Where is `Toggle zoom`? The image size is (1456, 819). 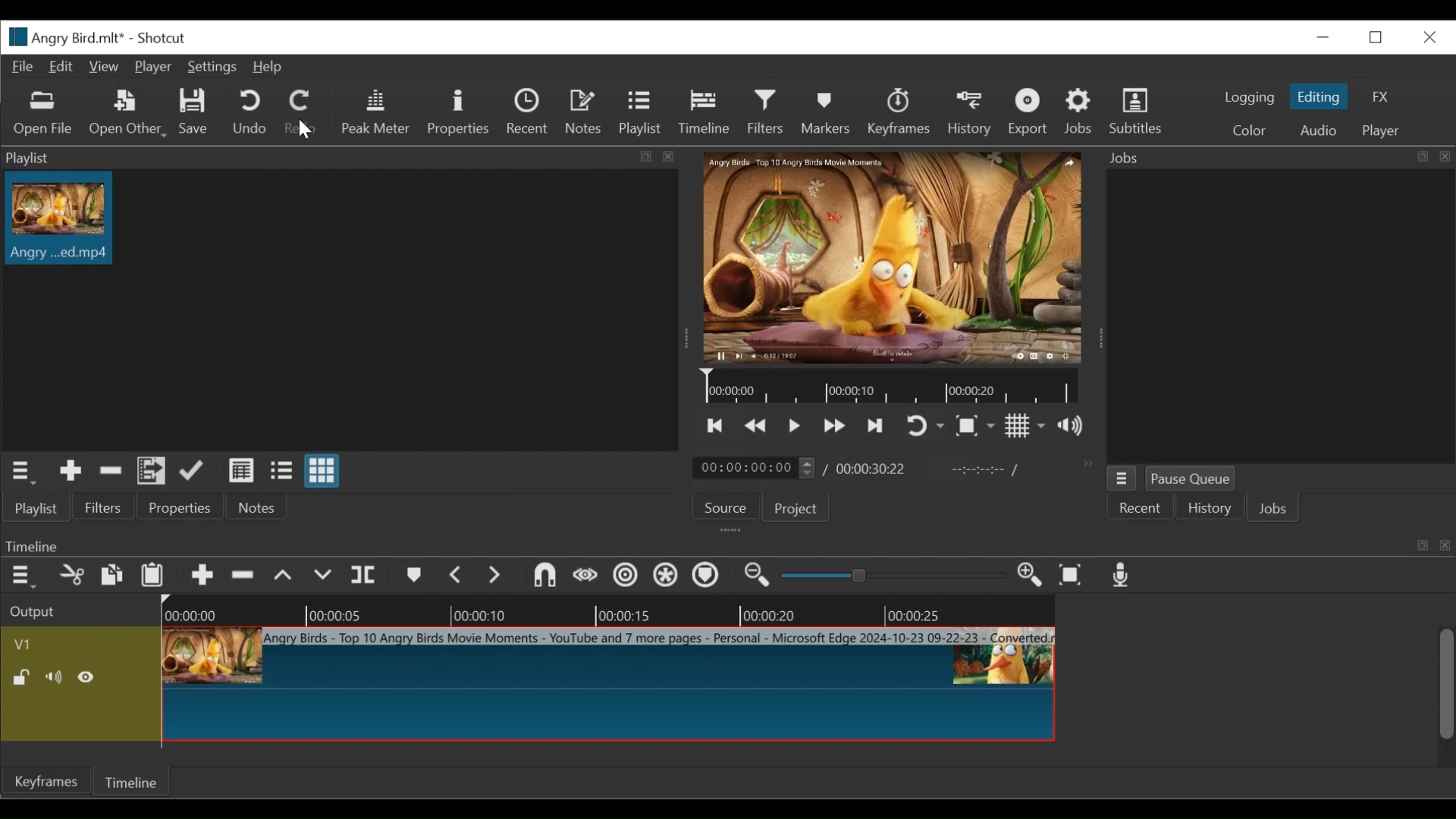 Toggle zoom is located at coordinates (974, 426).